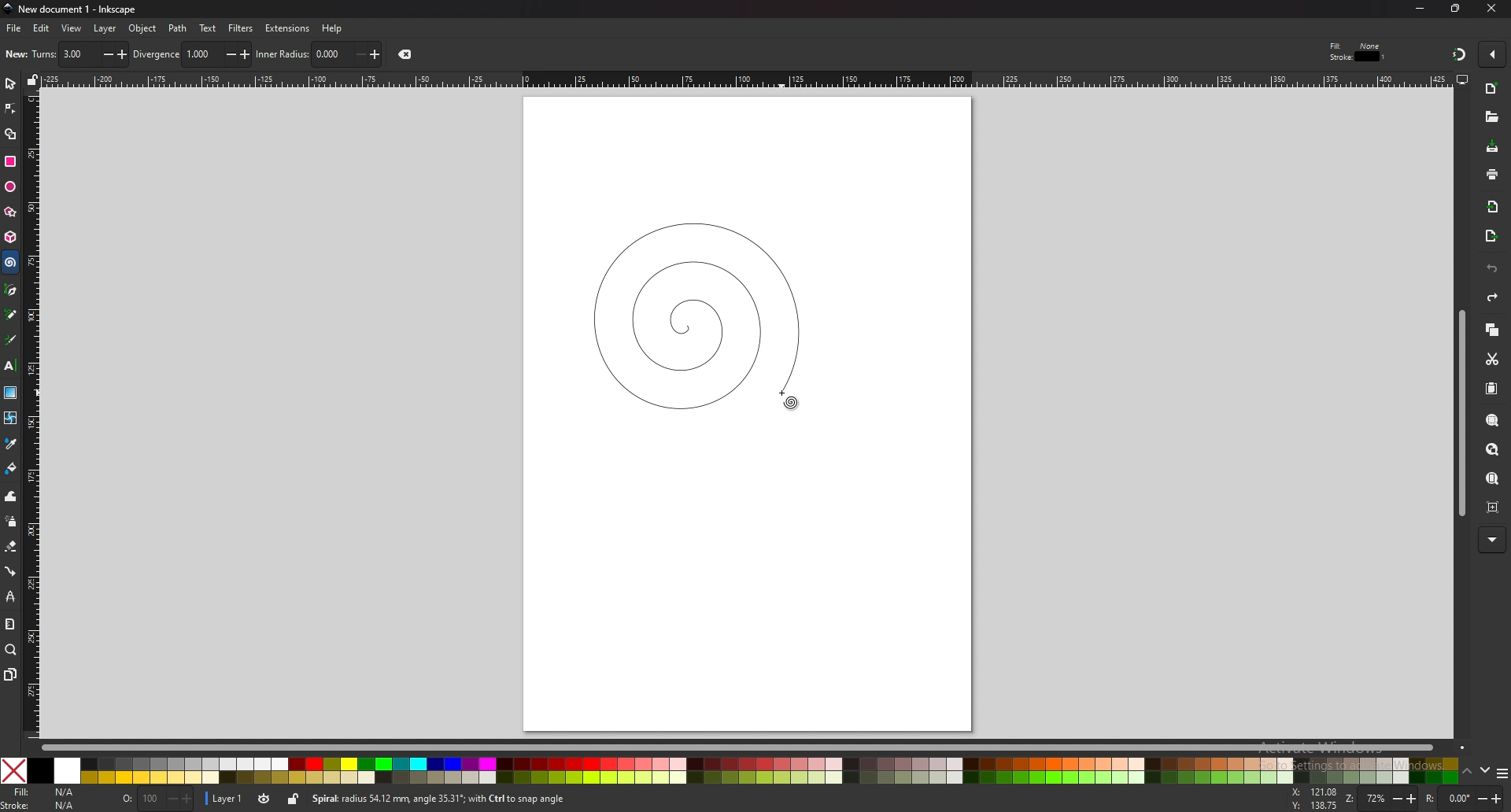 This screenshot has height=812, width=1511. I want to click on layer 1, so click(227, 799).